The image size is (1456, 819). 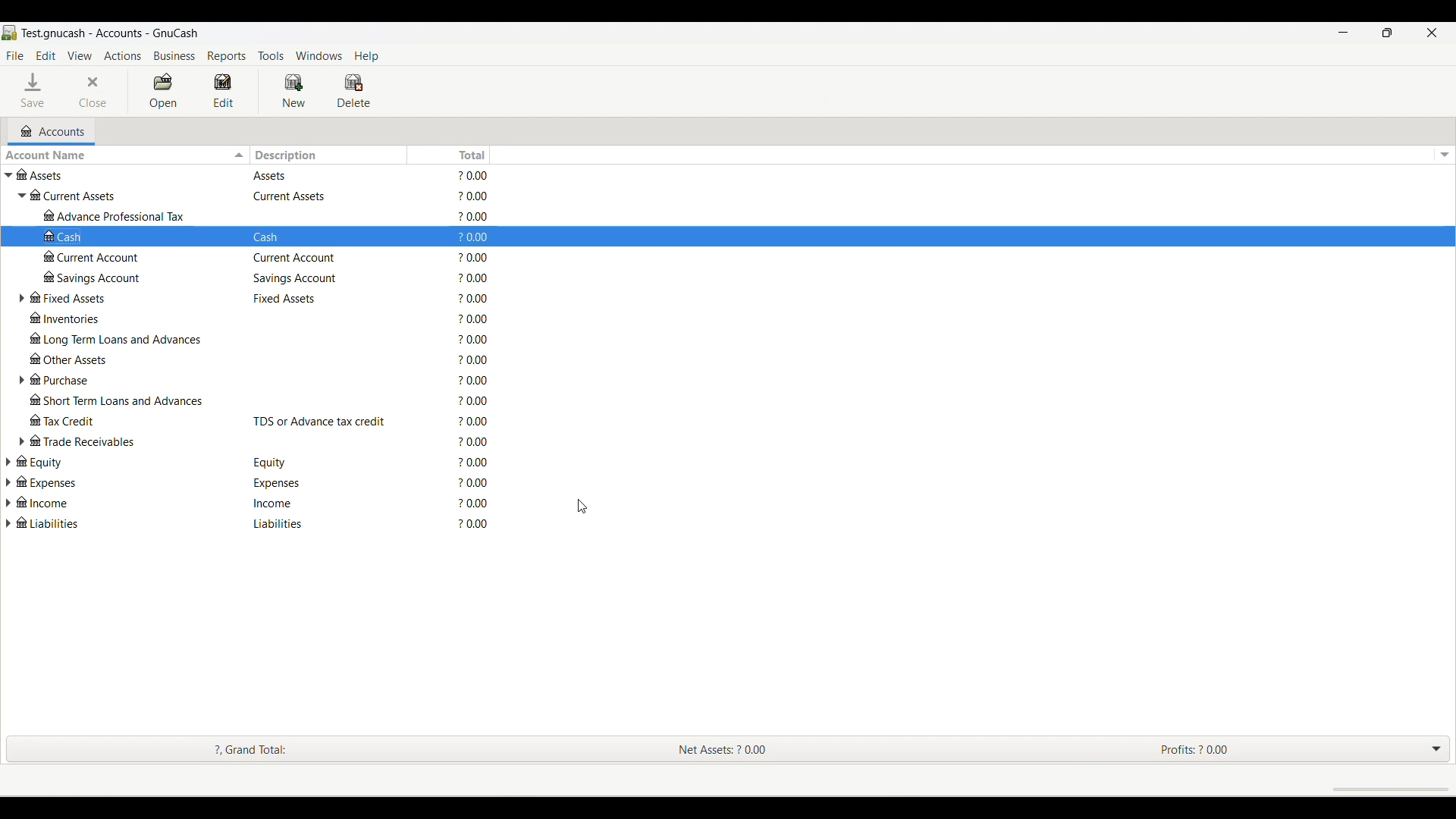 What do you see at coordinates (8, 523) in the screenshot?
I see `Expand Liabilities` at bounding box center [8, 523].